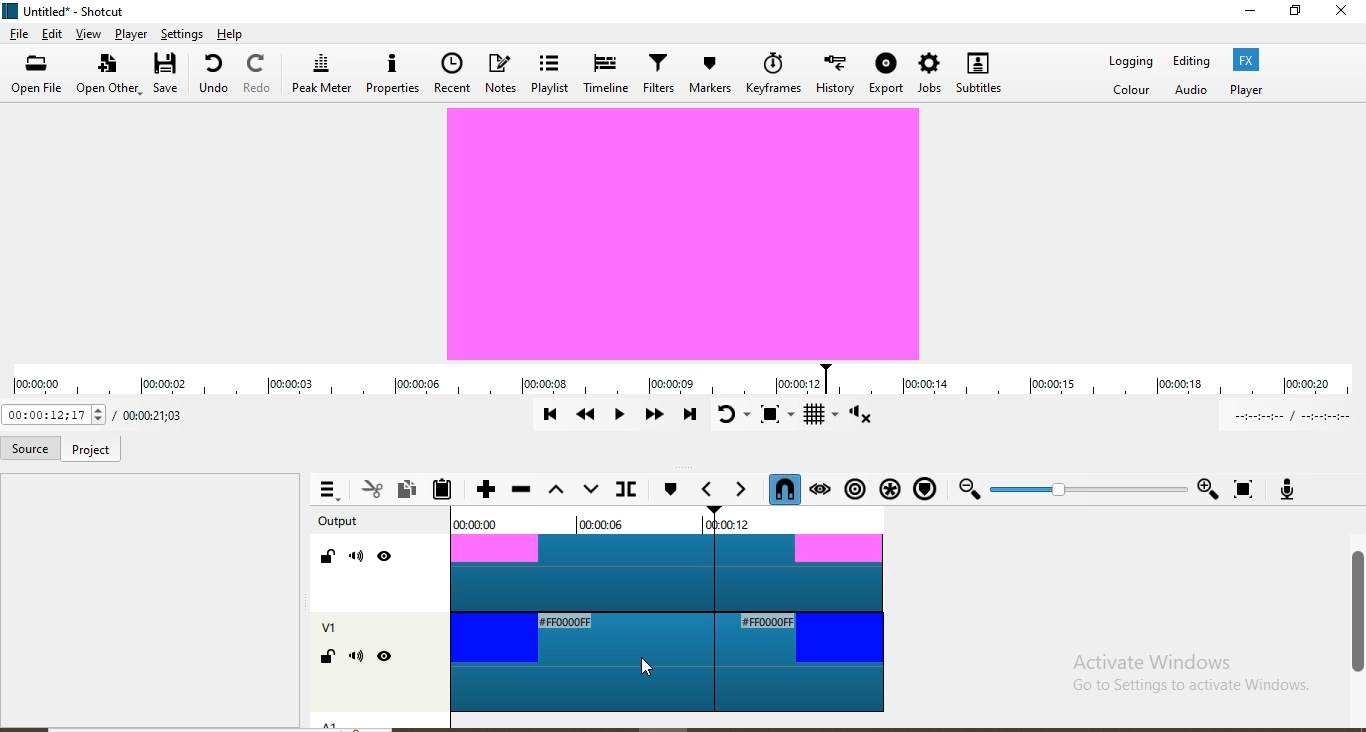  What do you see at coordinates (325, 660) in the screenshot?
I see `Lock` at bounding box center [325, 660].